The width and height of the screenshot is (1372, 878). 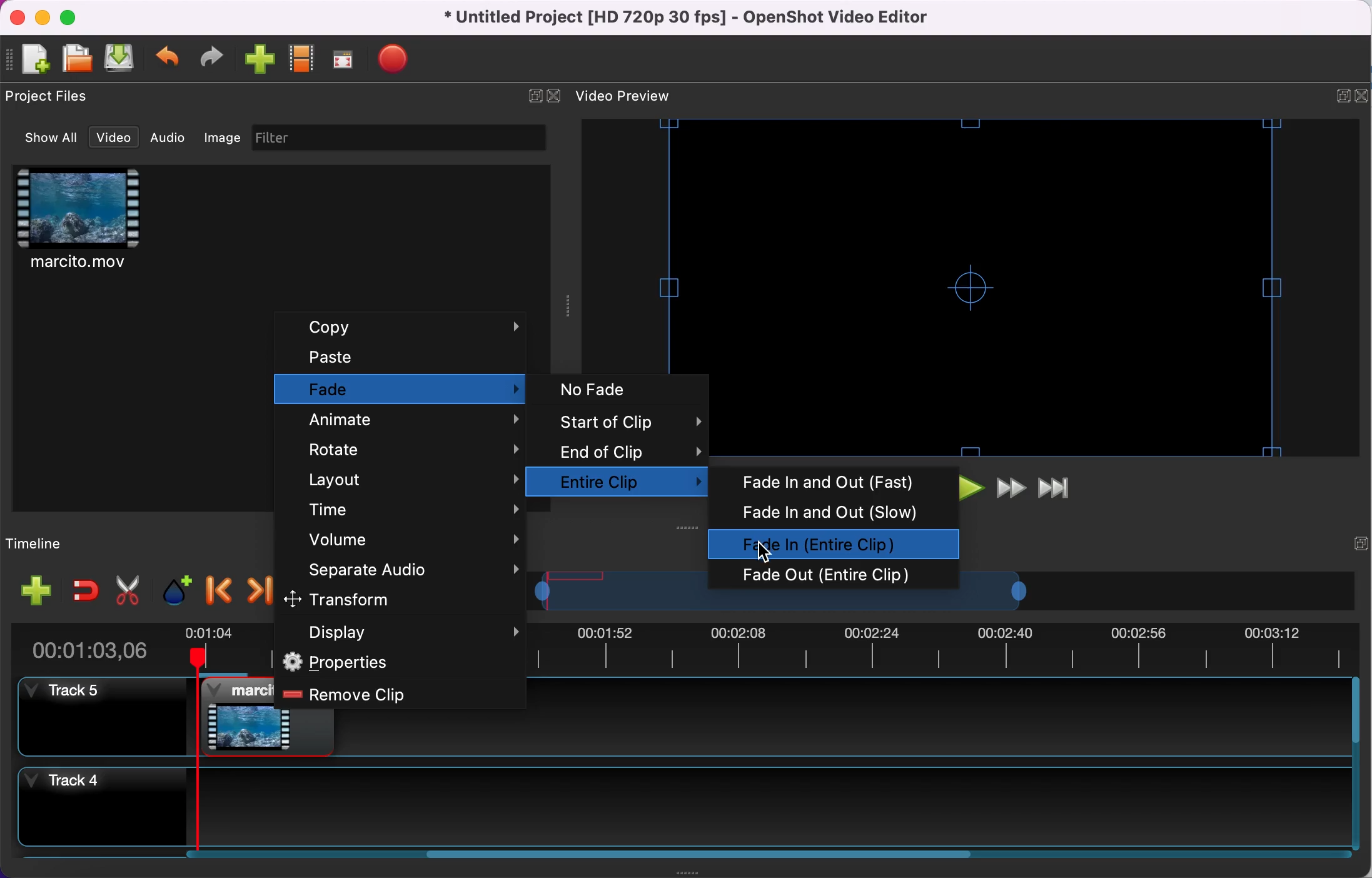 What do you see at coordinates (623, 390) in the screenshot?
I see `no fade` at bounding box center [623, 390].